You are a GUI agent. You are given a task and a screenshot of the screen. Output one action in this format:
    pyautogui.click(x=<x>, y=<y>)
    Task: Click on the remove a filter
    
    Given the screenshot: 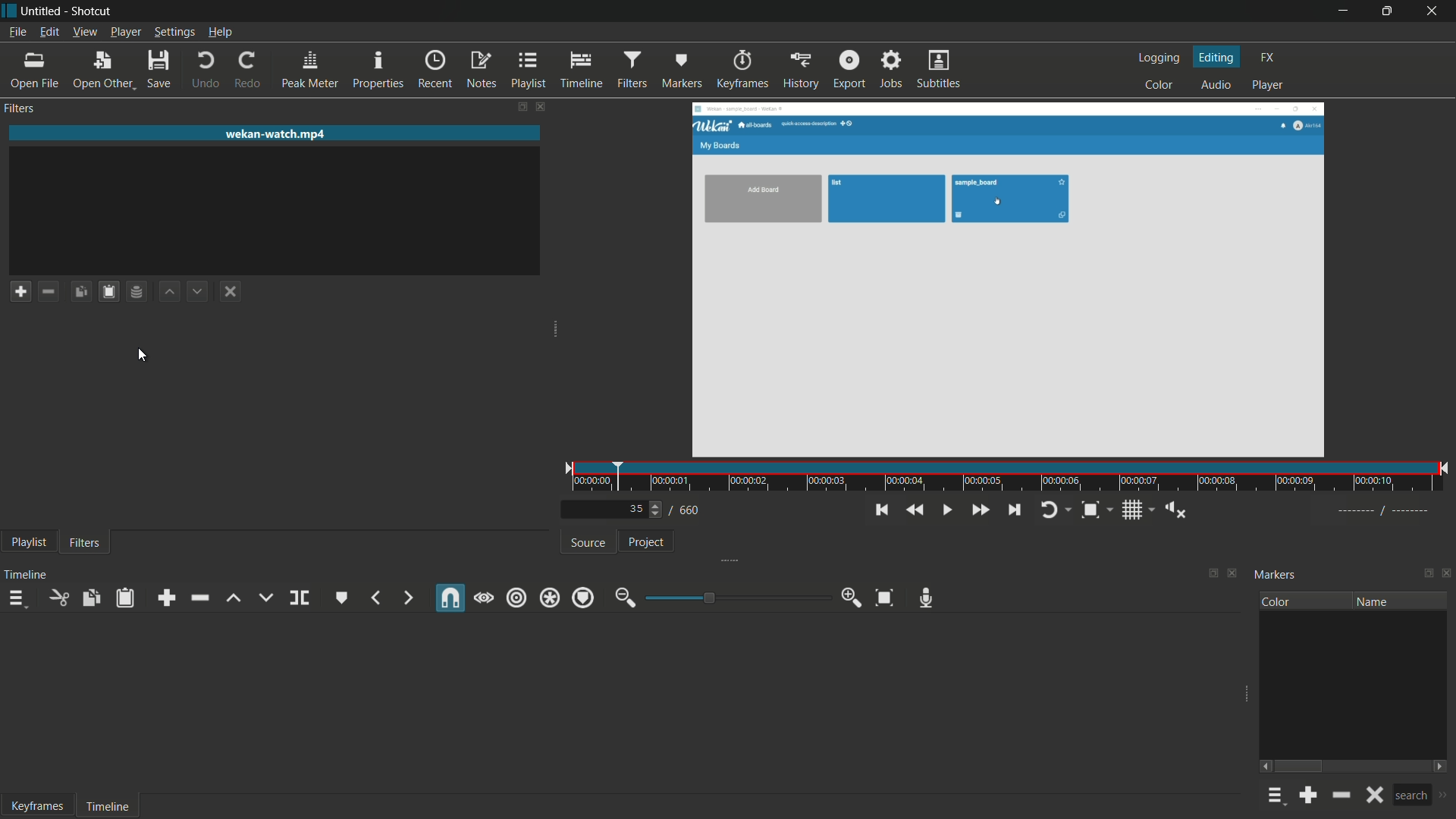 What is the action you would take?
    pyautogui.click(x=50, y=291)
    